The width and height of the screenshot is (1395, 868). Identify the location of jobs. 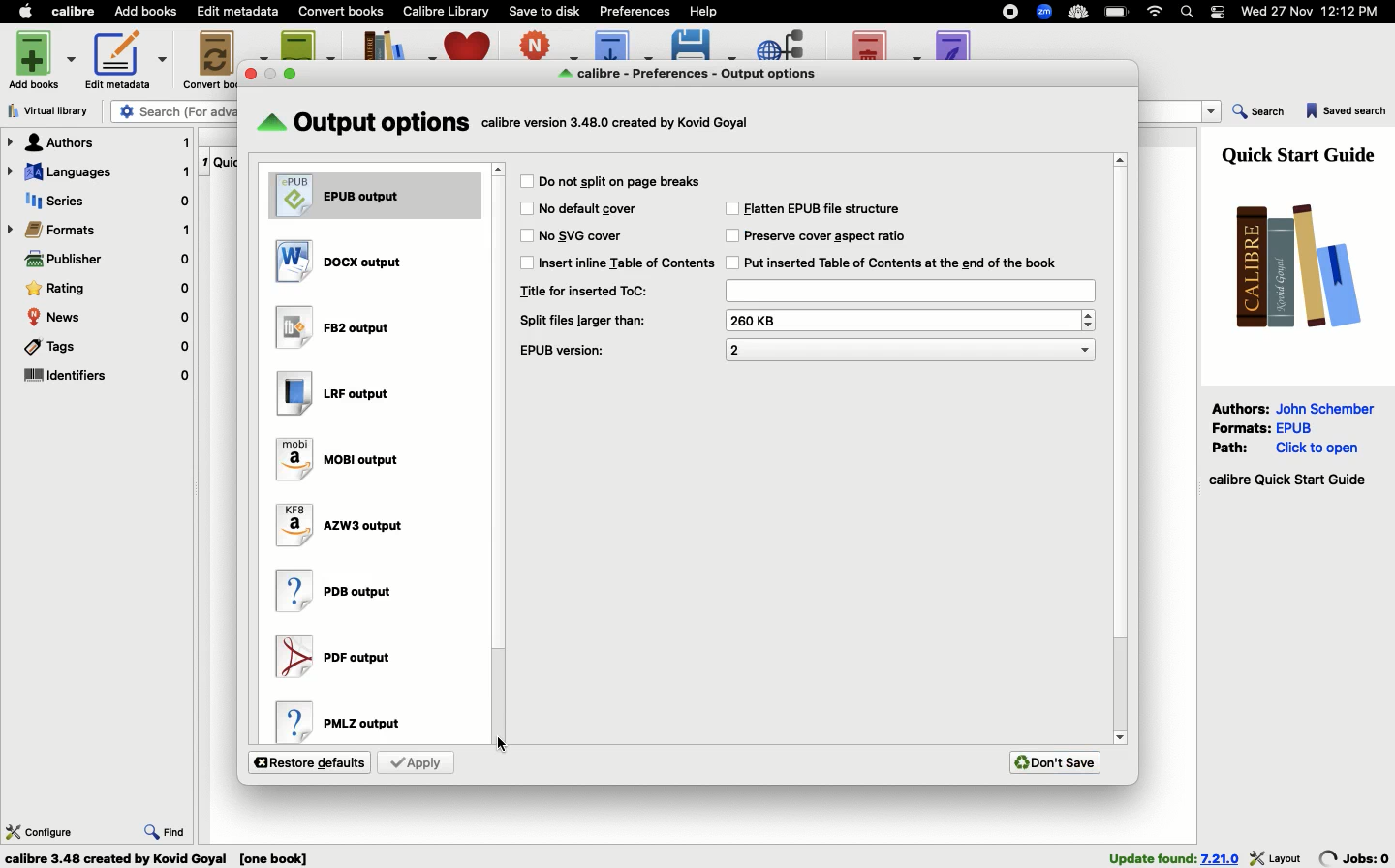
(1355, 857).